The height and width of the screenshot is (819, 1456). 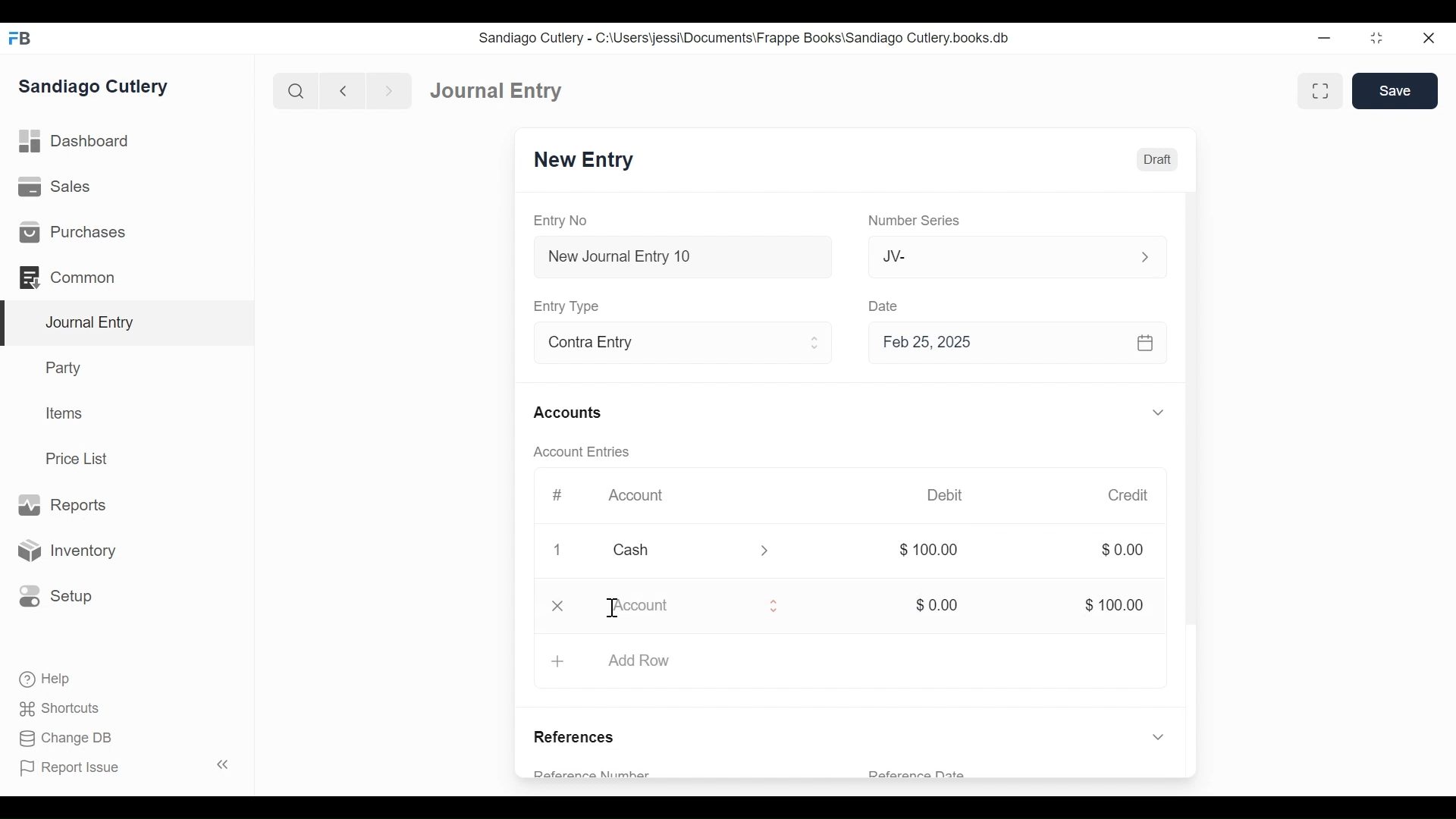 I want to click on Number Series, so click(x=917, y=221).